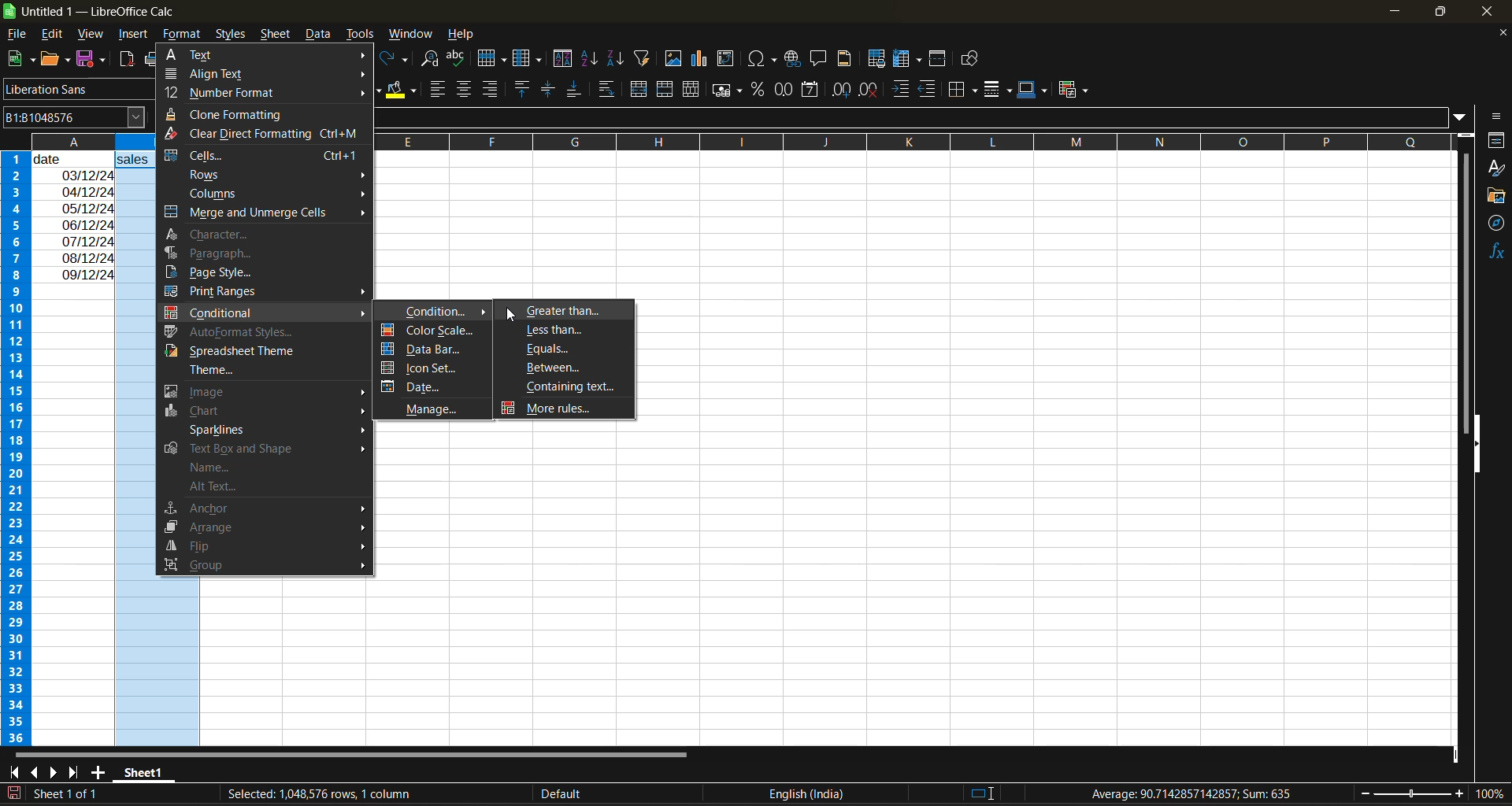  What do you see at coordinates (401, 91) in the screenshot?
I see `background color` at bounding box center [401, 91].